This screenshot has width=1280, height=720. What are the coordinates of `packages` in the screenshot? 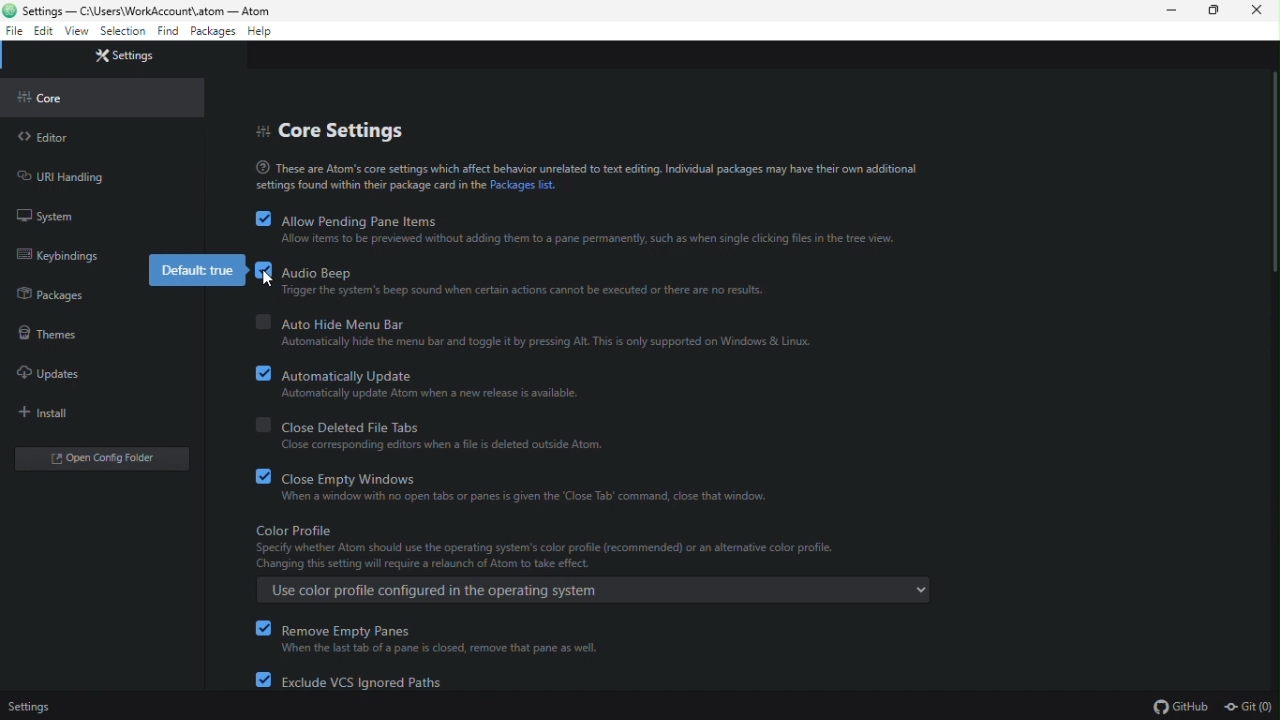 It's located at (212, 32).